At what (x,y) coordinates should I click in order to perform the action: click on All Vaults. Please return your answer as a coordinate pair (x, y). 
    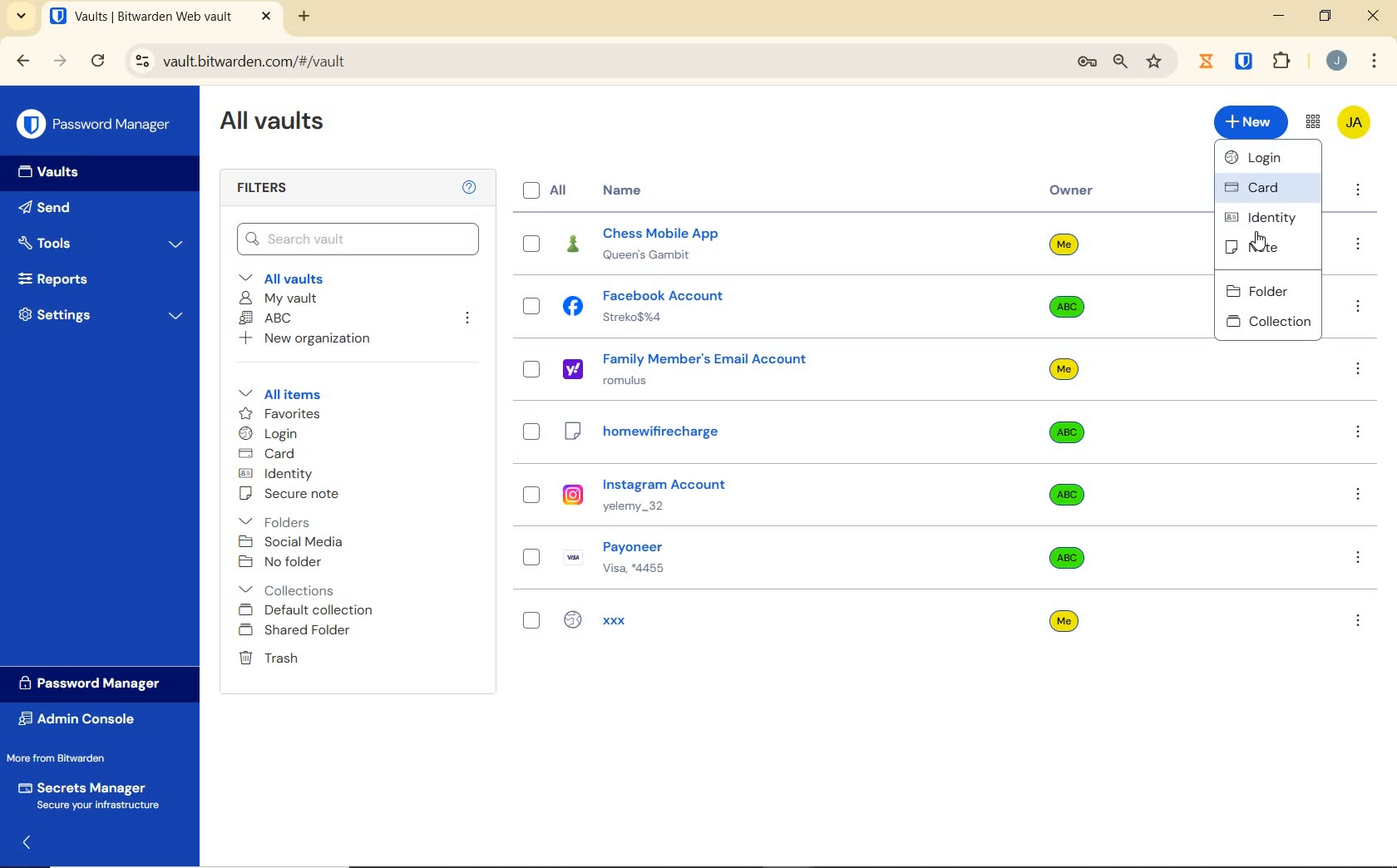
    Looking at the image, I should click on (279, 126).